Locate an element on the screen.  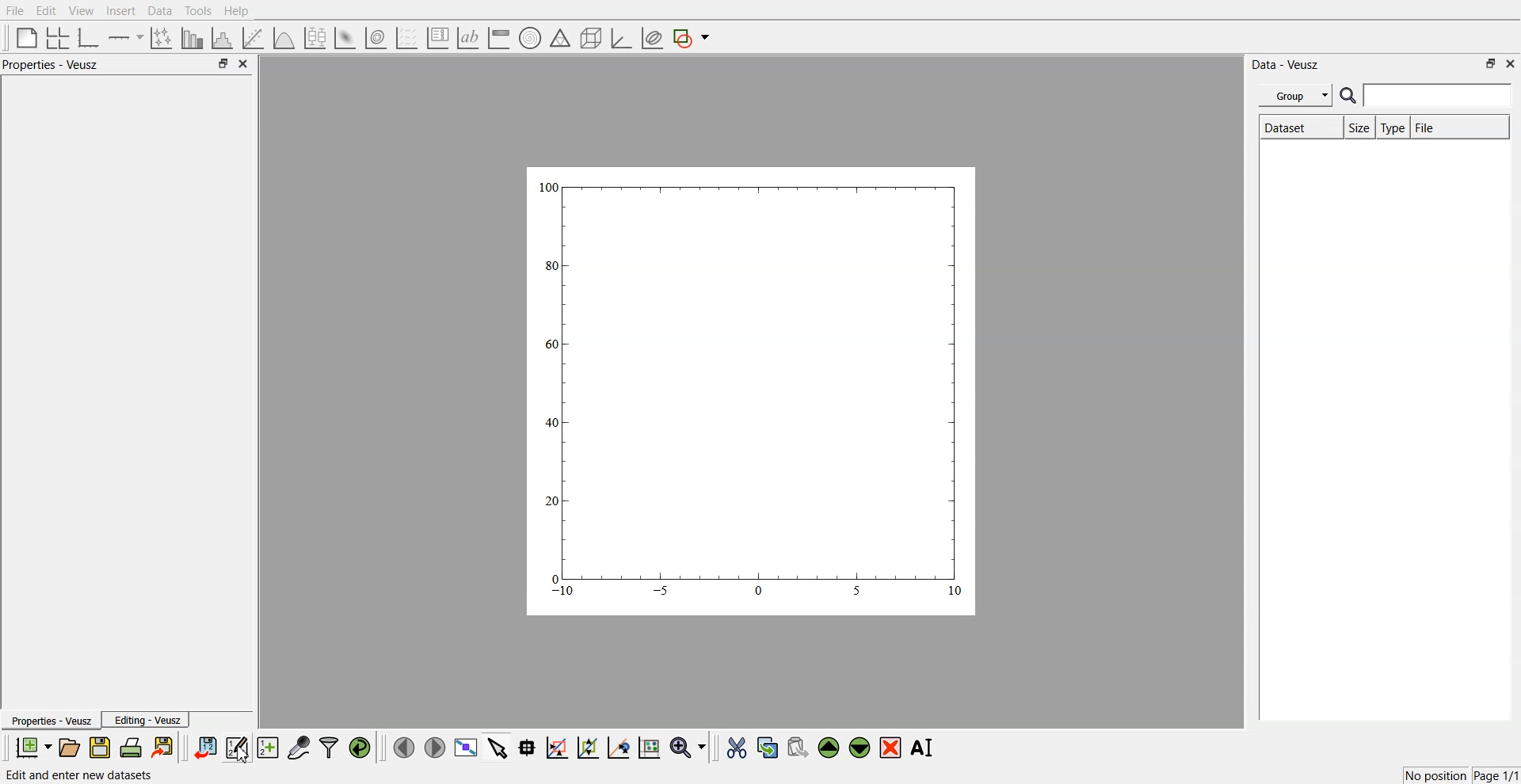
Type is located at coordinates (1393, 128).